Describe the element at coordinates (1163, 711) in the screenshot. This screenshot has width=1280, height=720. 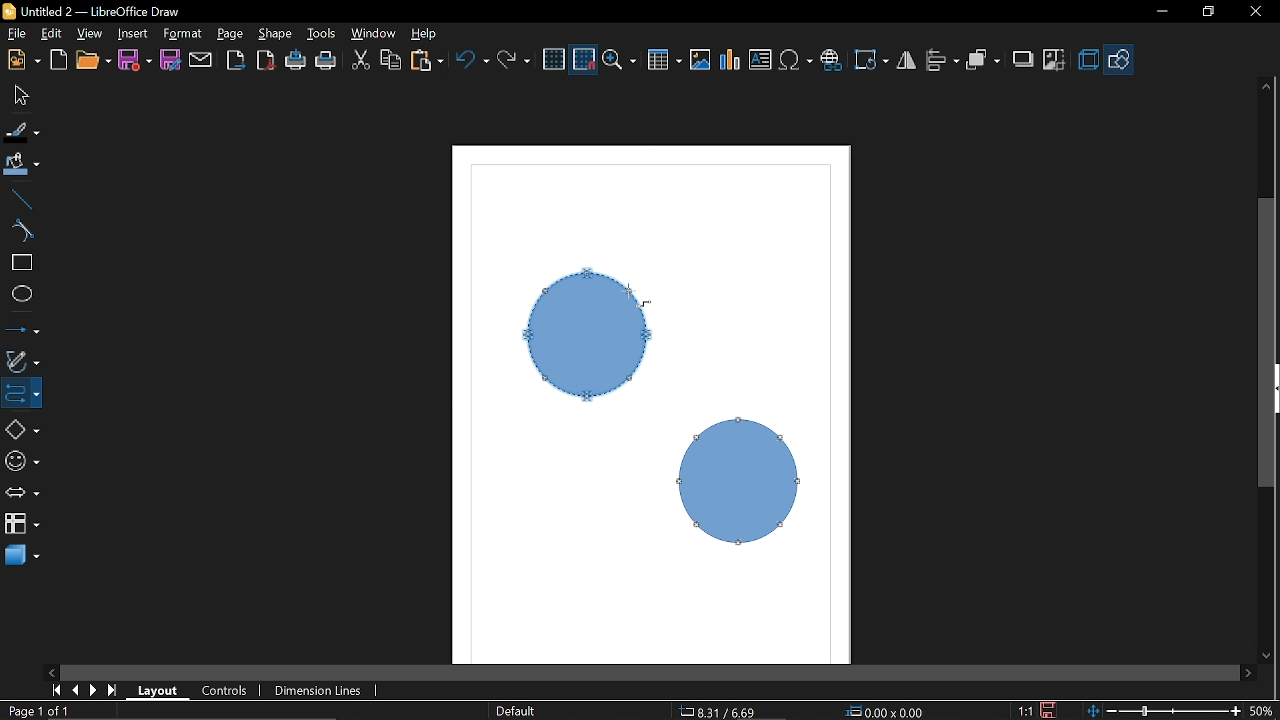
I see `Zoom chnage` at that location.